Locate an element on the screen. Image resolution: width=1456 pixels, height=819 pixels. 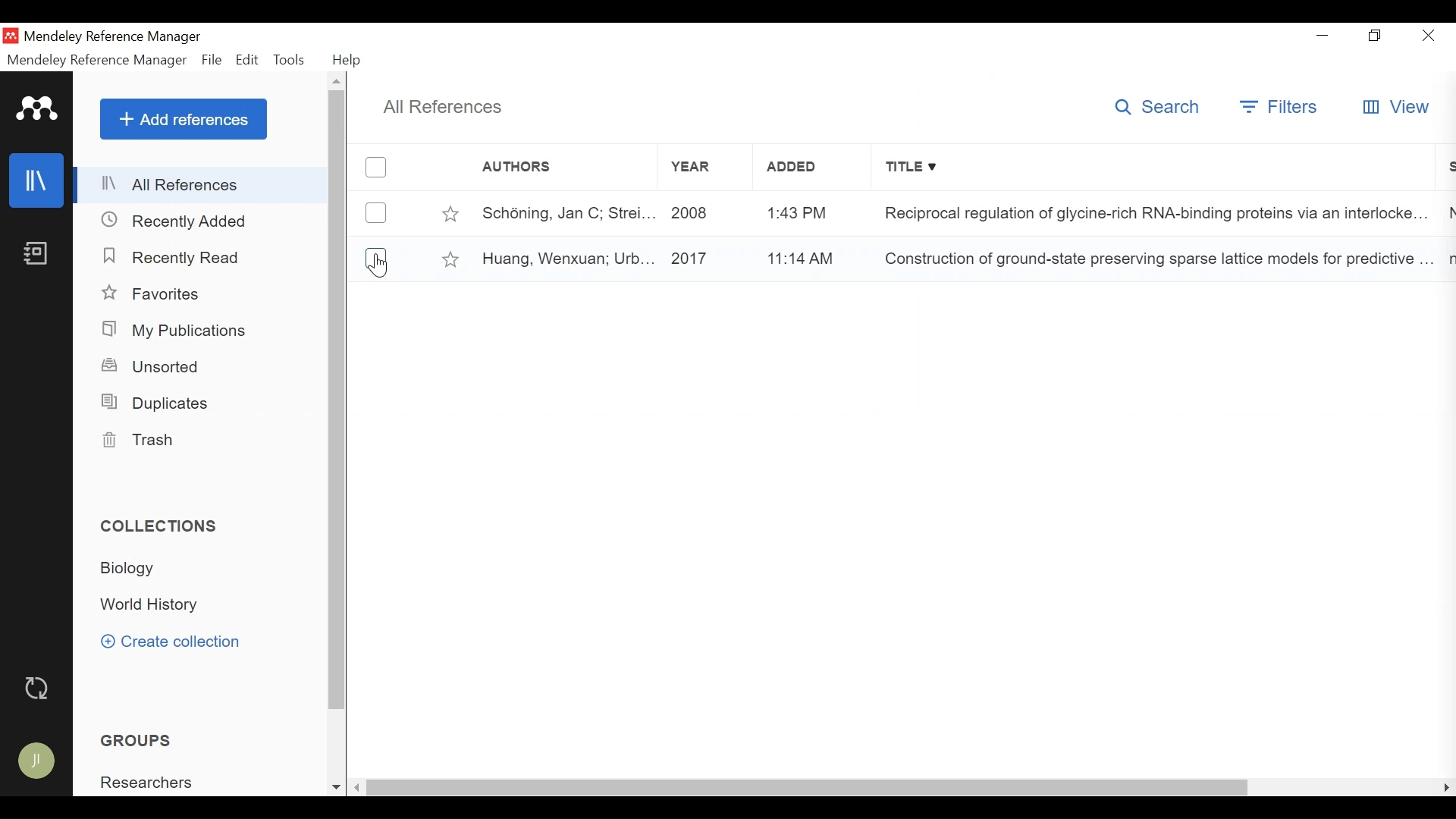
Mendeley Reference Manager is located at coordinates (96, 61).